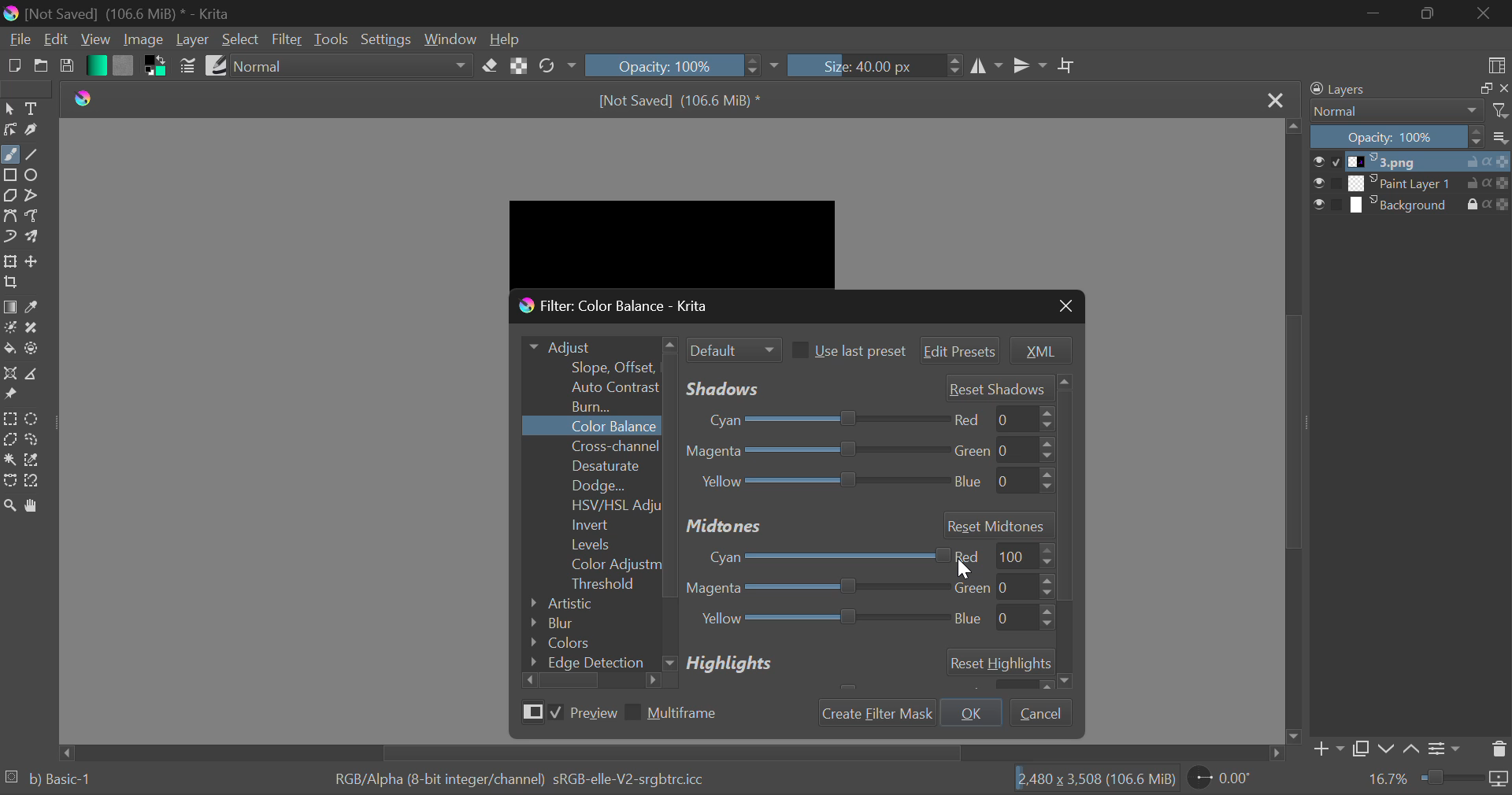  Describe the element at coordinates (124, 65) in the screenshot. I see `Pattern` at that location.